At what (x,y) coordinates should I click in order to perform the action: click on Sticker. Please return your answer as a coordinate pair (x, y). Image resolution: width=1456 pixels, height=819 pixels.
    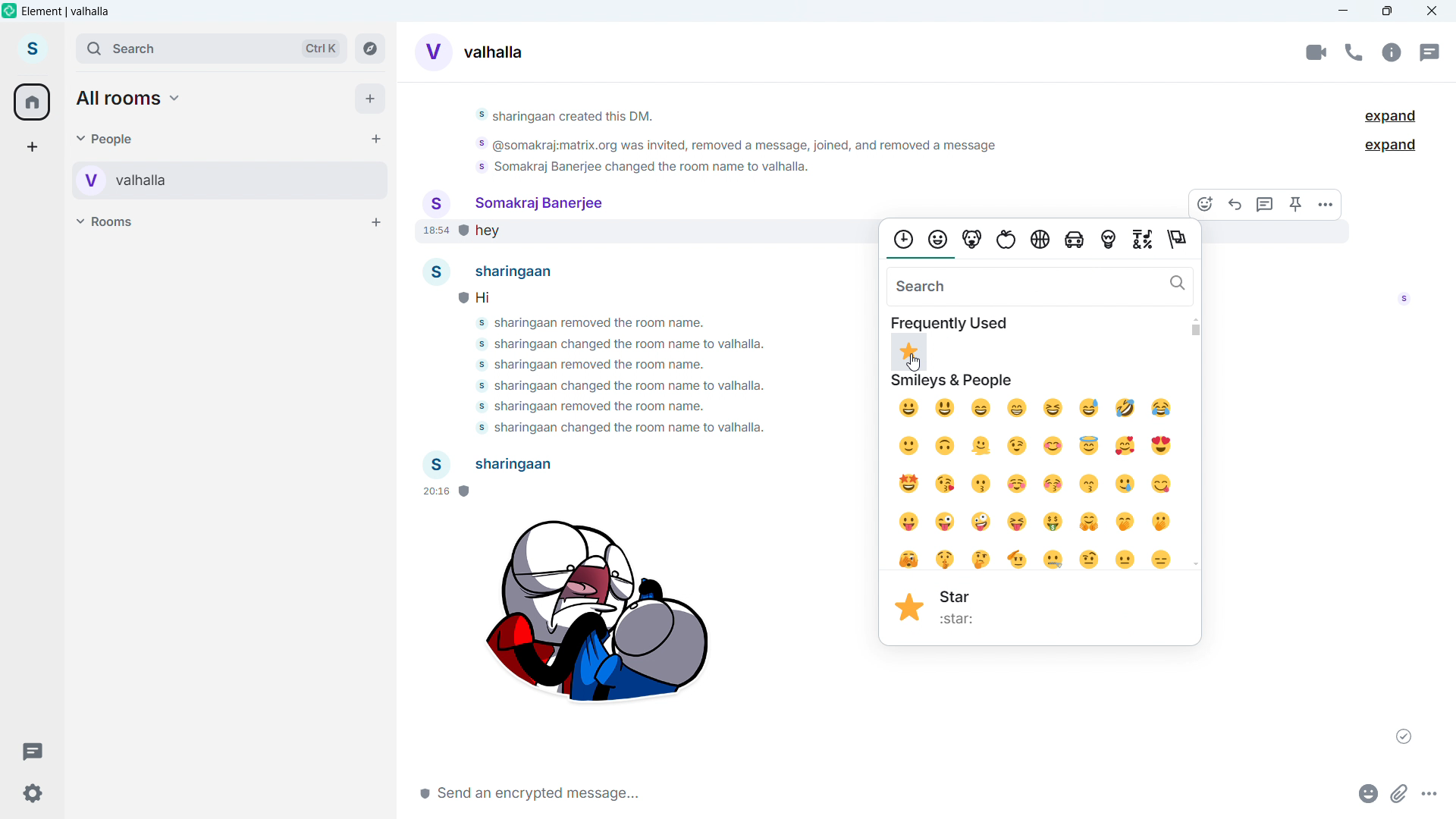
    Looking at the image, I should click on (595, 617).